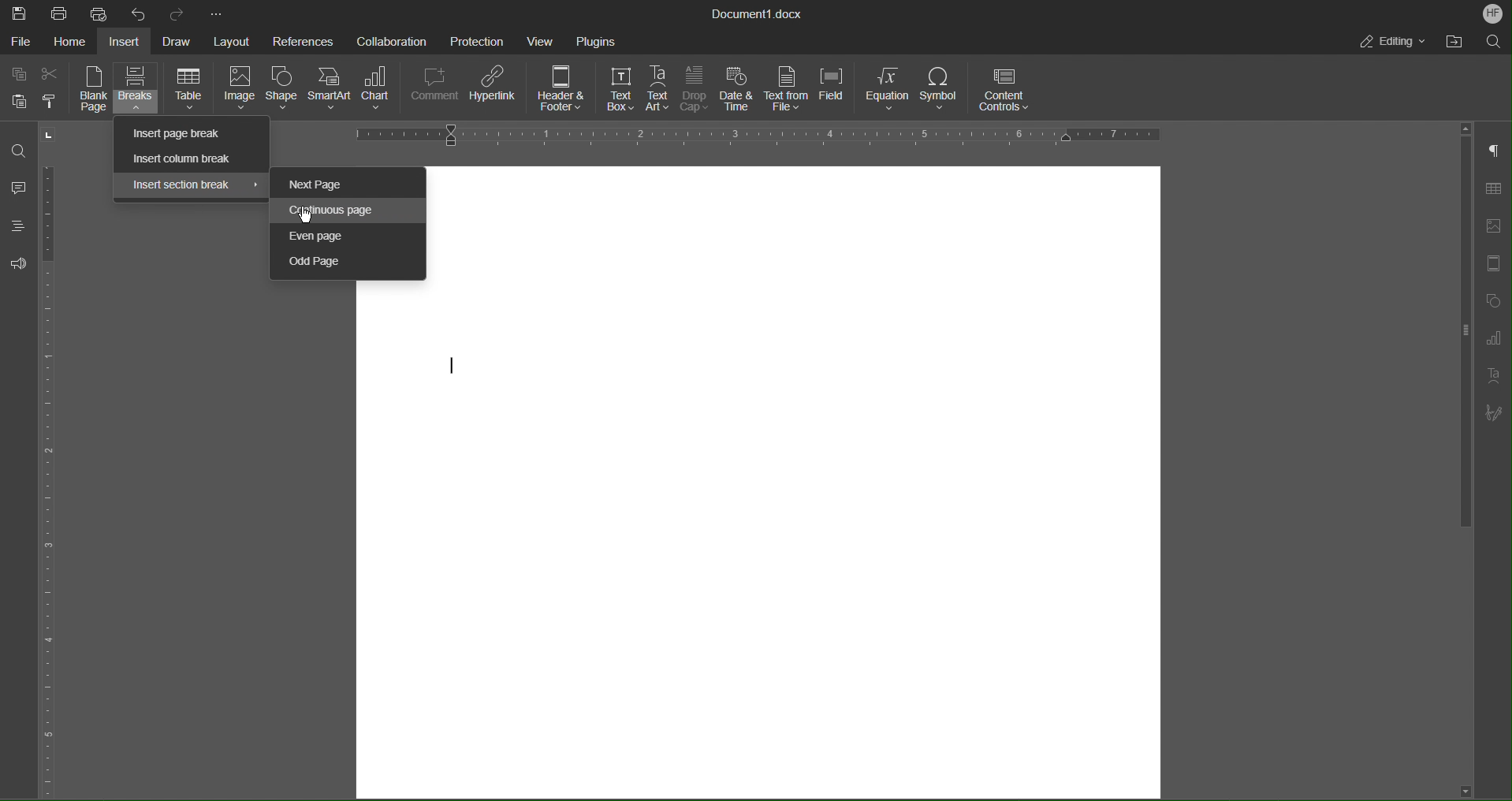  I want to click on Text Box, so click(619, 90).